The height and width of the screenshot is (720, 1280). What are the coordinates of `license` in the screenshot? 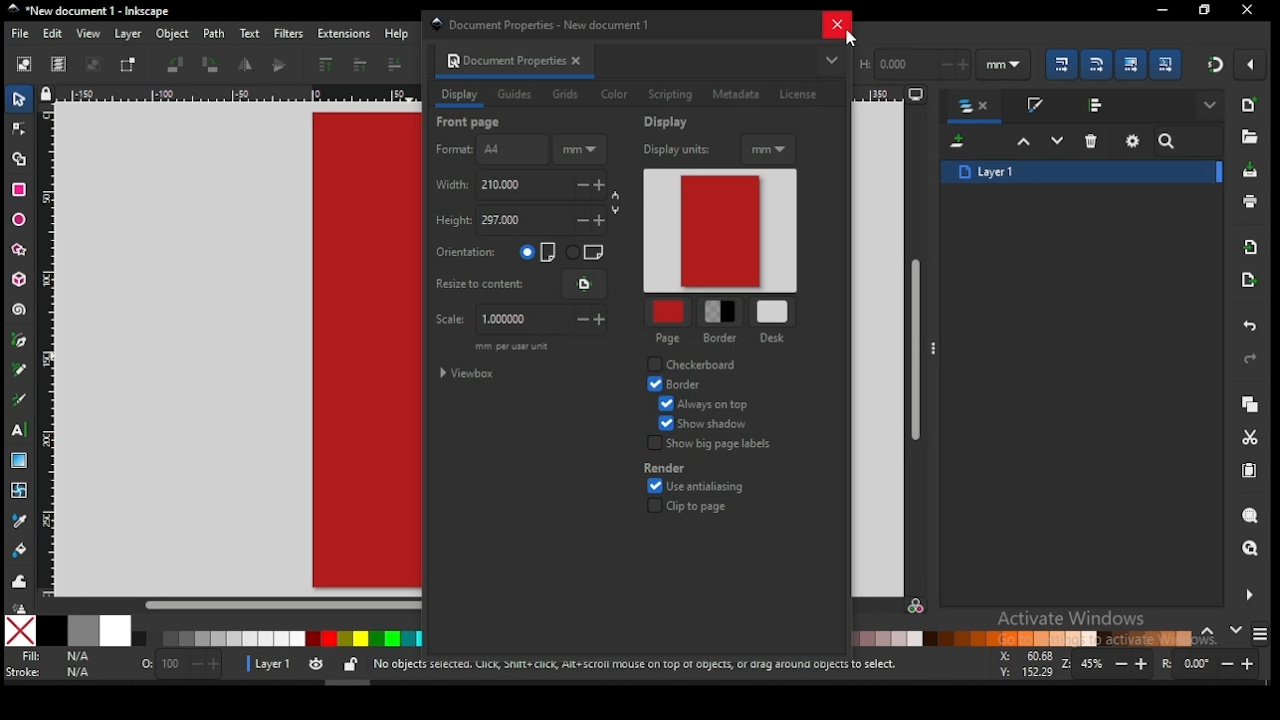 It's located at (797, 95).